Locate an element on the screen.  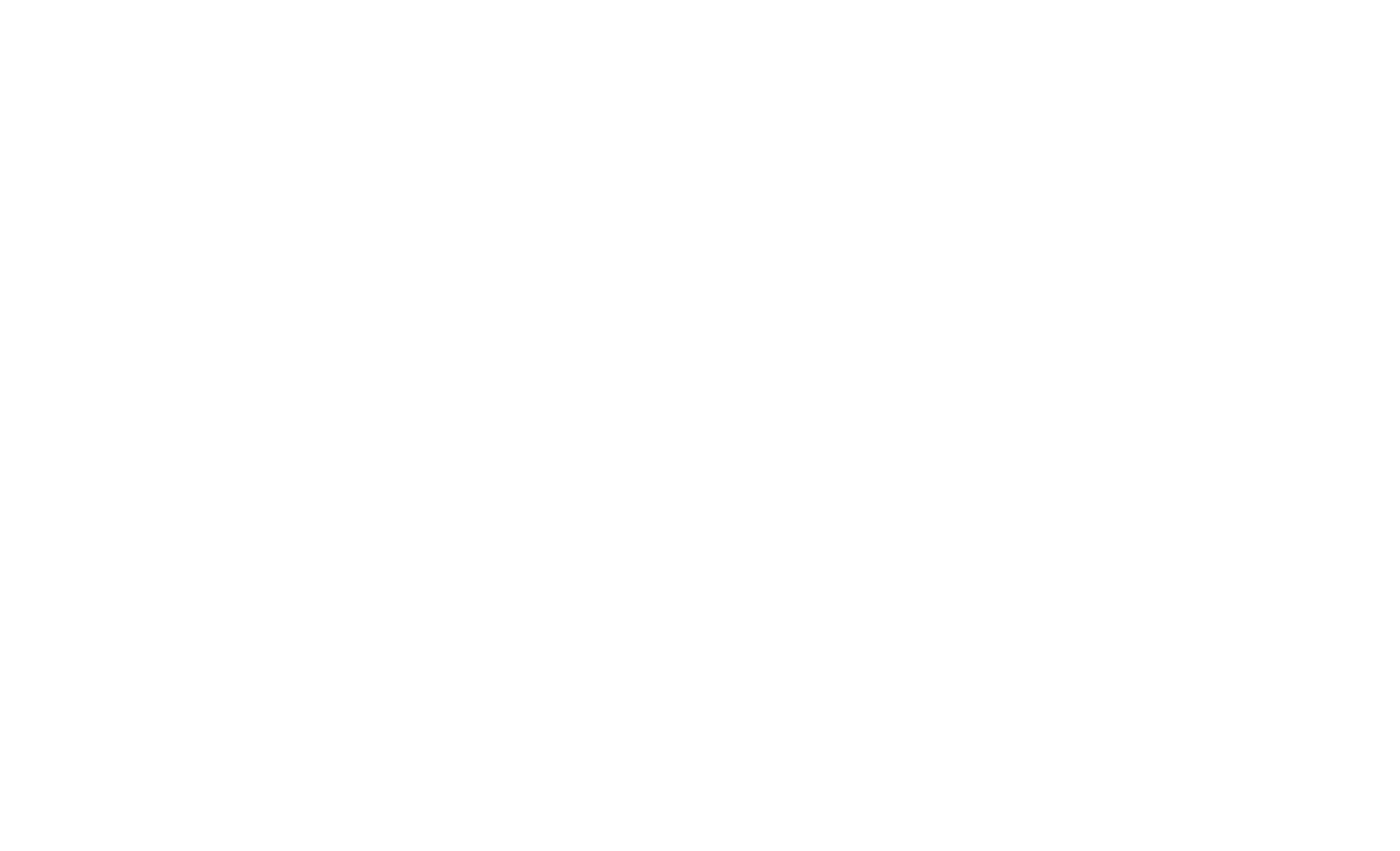
FPS is located at coordinates (1346, 836).